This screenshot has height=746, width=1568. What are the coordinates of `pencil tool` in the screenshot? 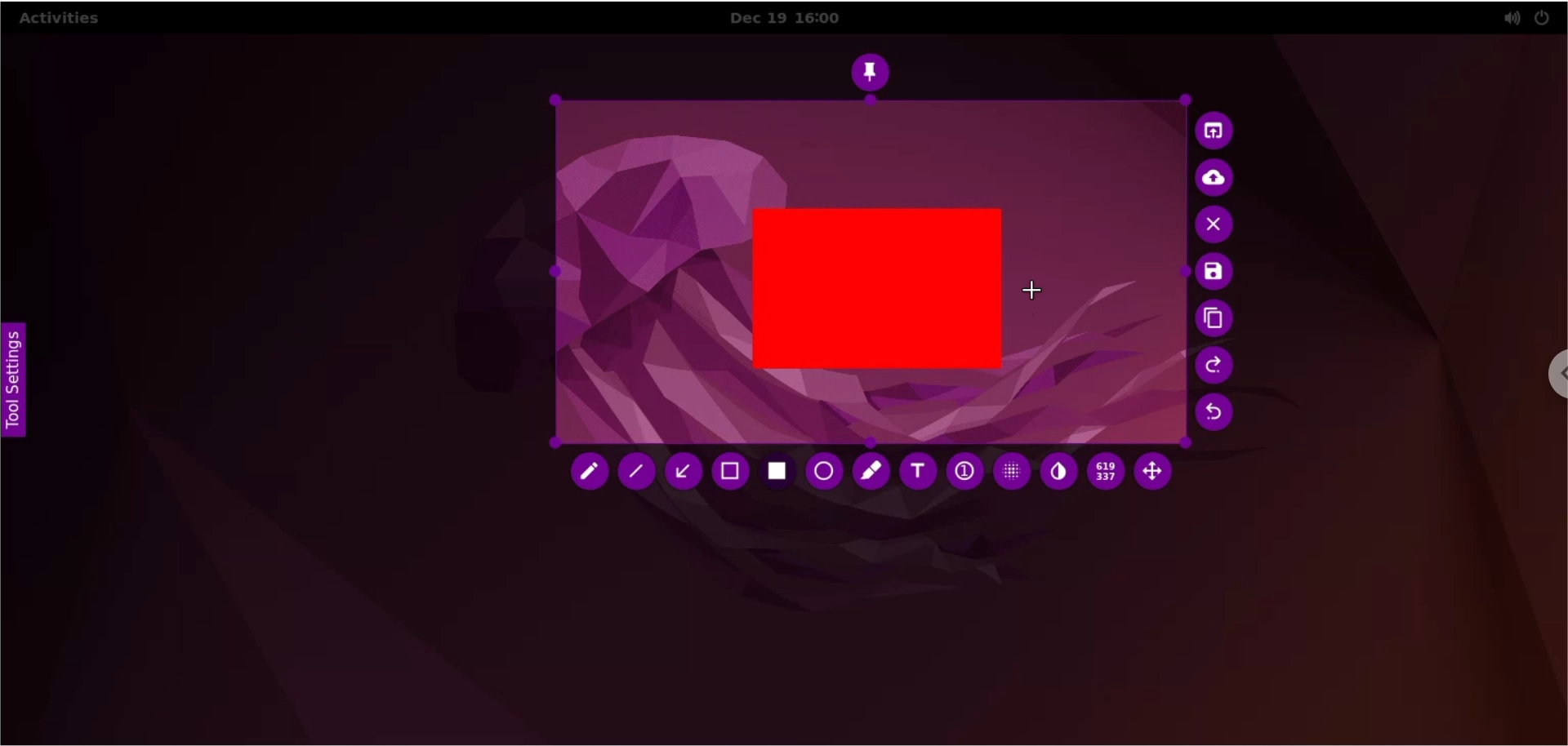 It's located at (589, 475).